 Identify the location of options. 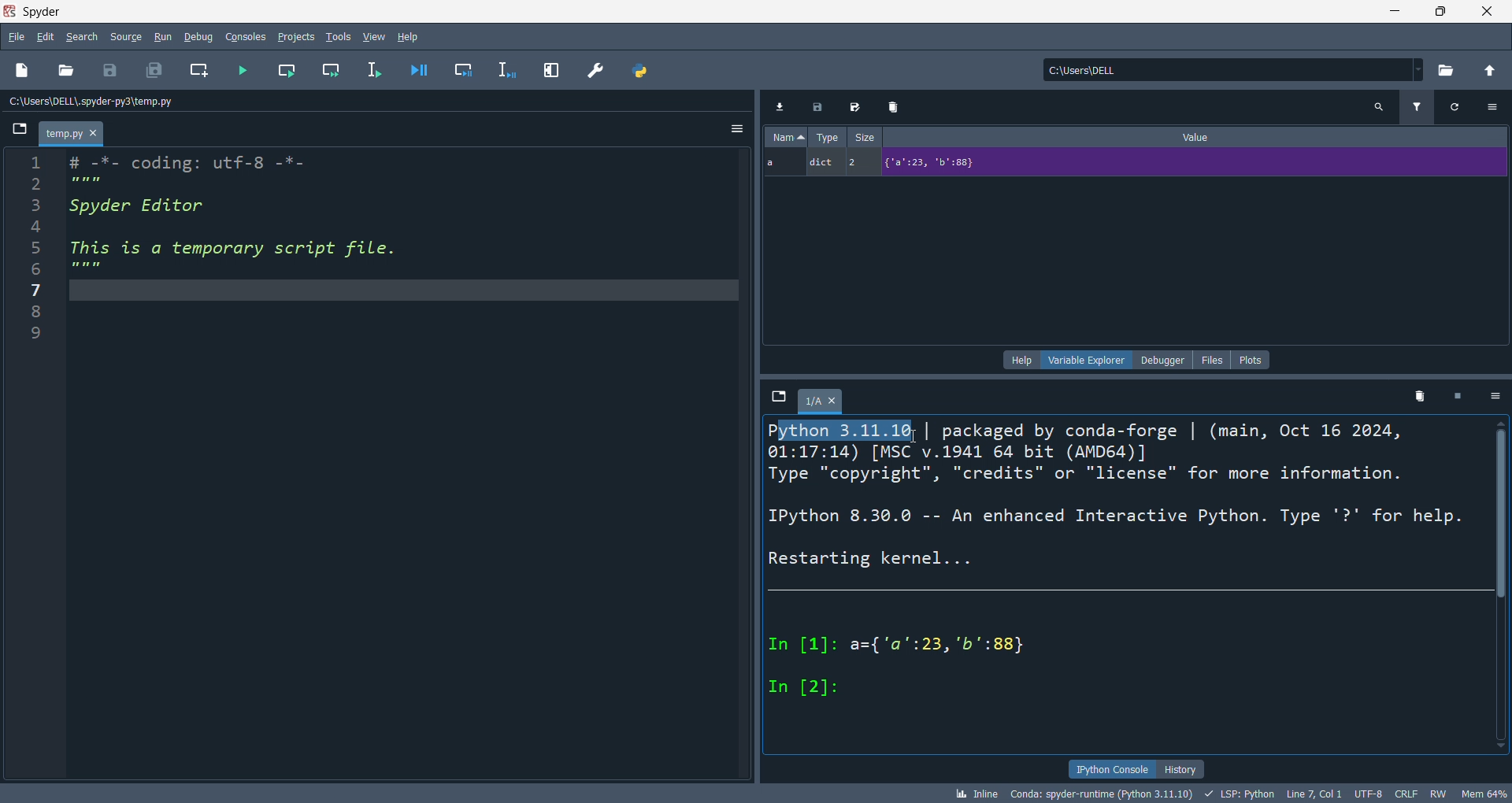
(737, 130).